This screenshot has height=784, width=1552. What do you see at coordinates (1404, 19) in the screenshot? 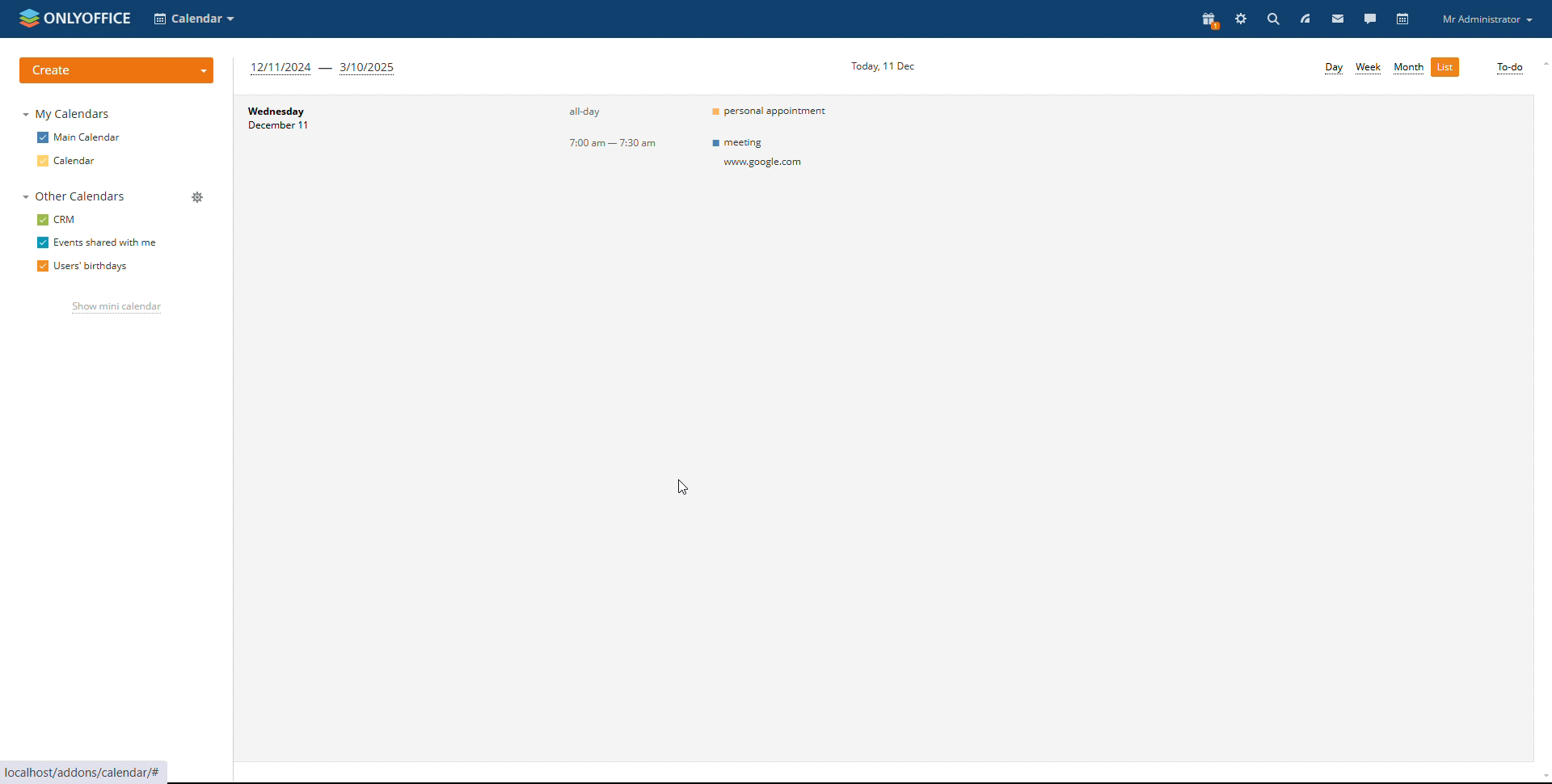
I see `calendar` at bounding box center [1404, 19].